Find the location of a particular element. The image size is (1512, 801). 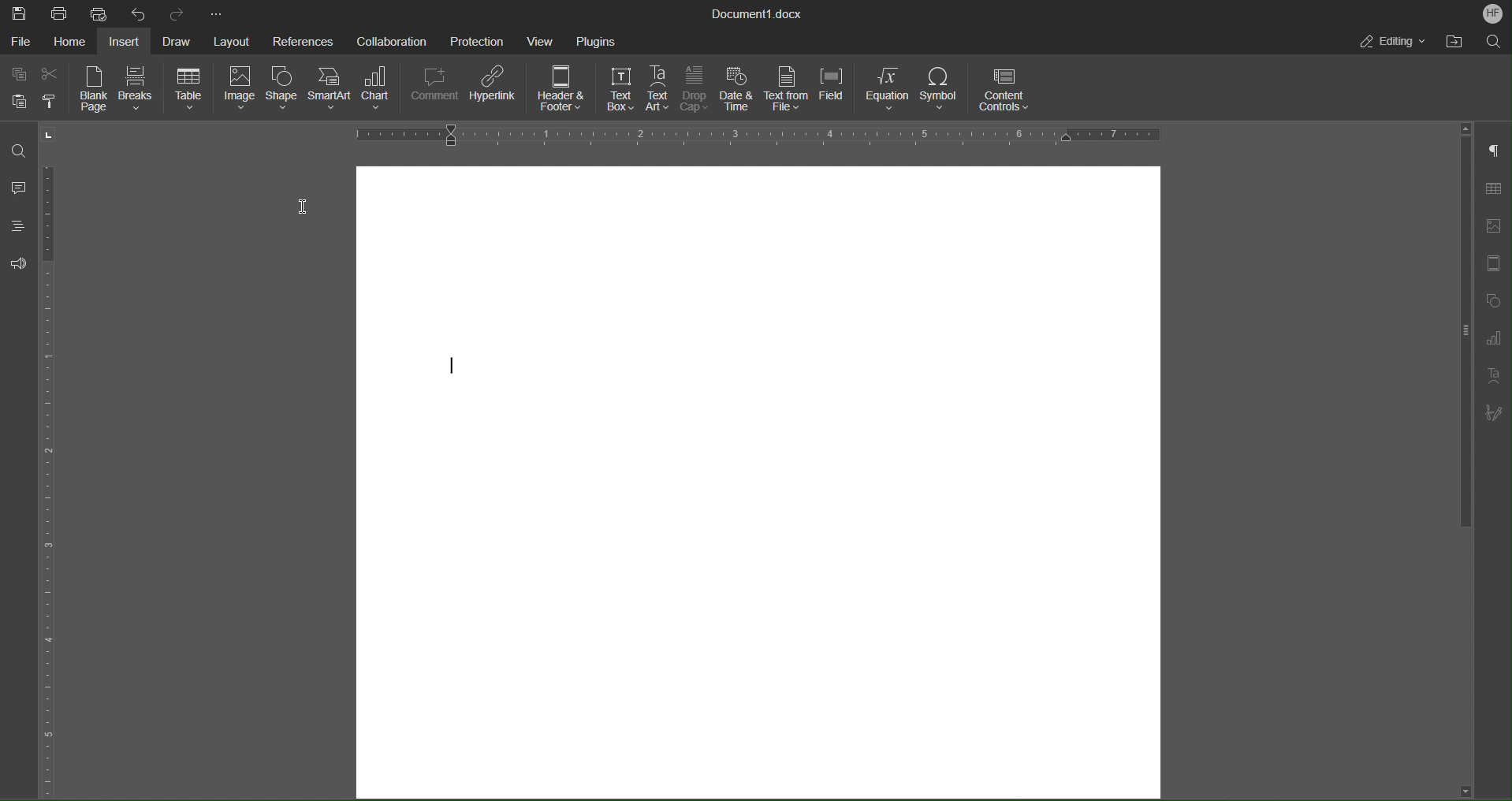

Text Box is located at coordinates (619, 90).